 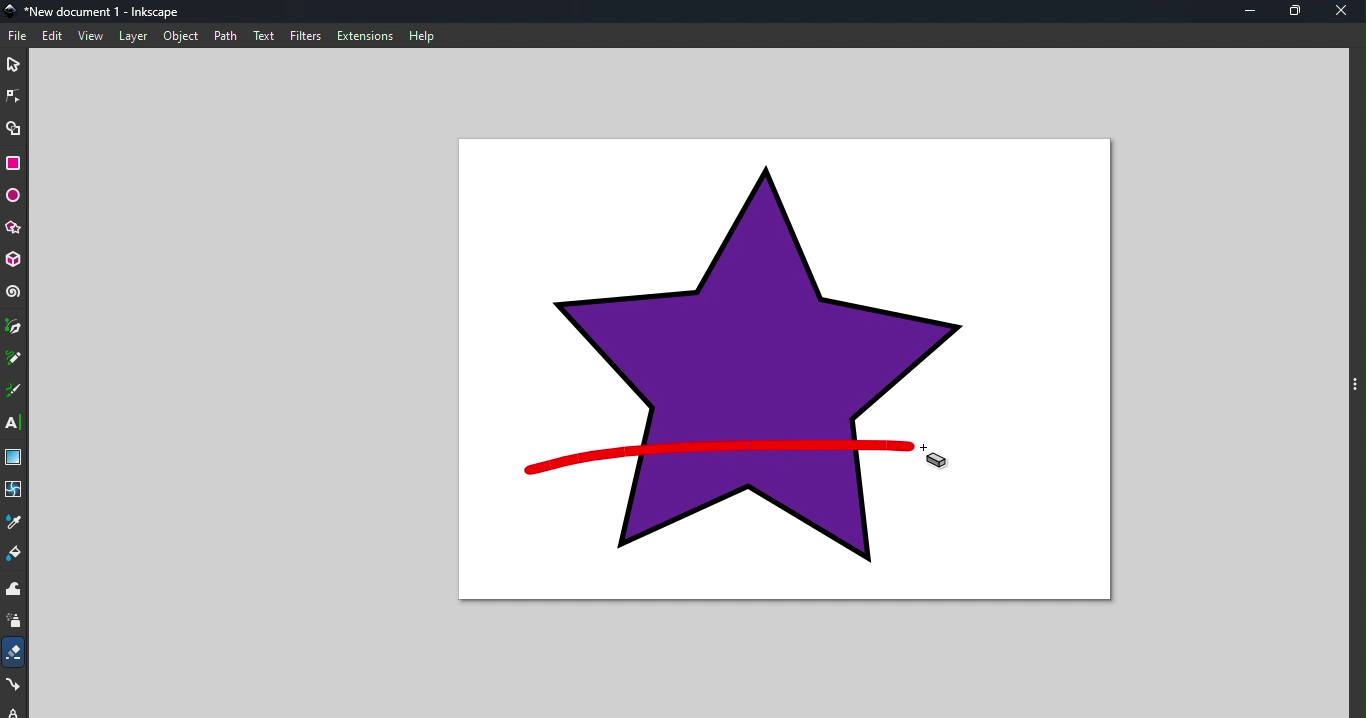 What do you see at coordinates (14, 359) in the screenshot?
I see `pencil tool` at bounding box center [14, 359].